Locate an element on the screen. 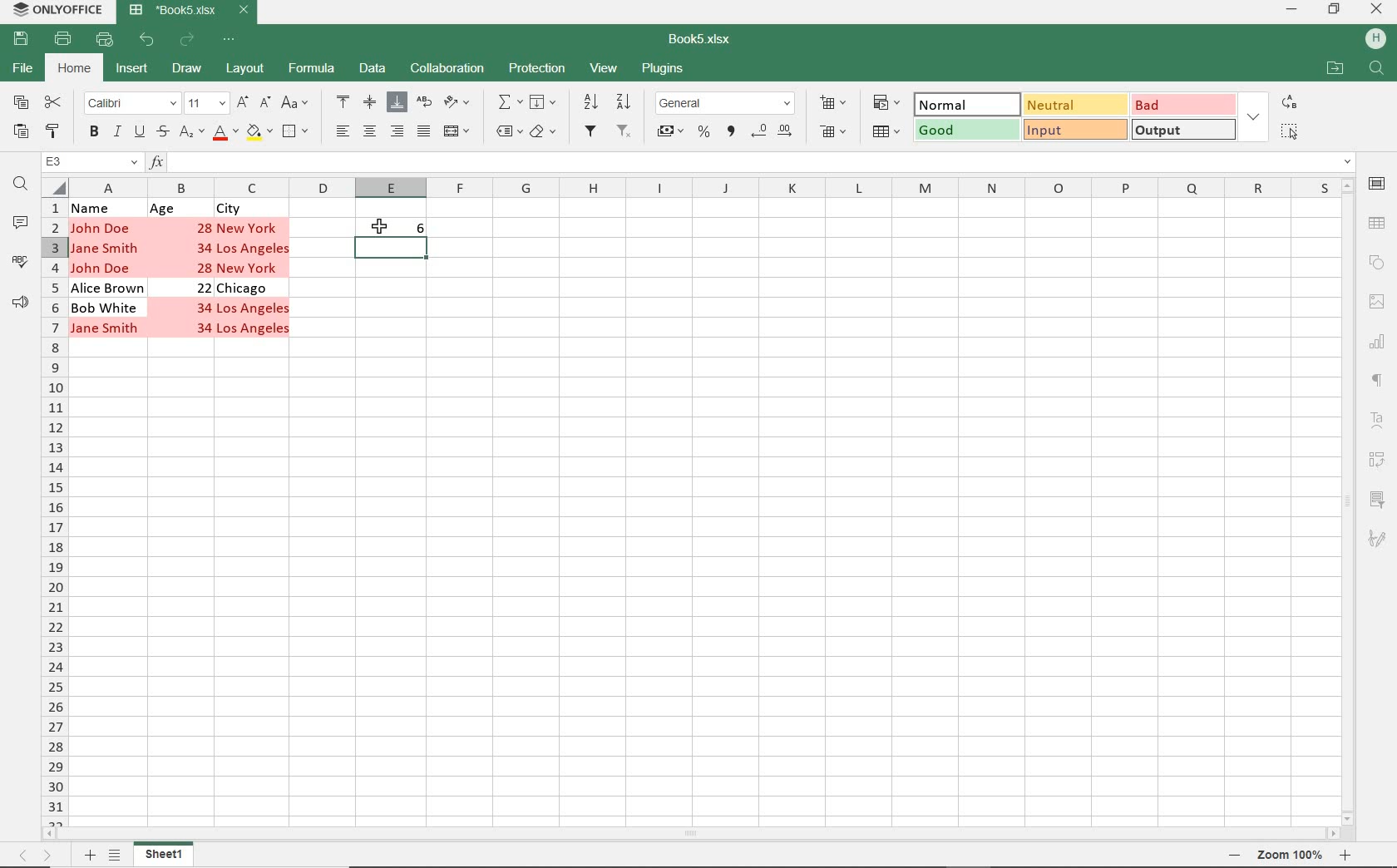 Image resolution: width=1397 pixels, height=868 pixels. SLICER is located at coordinates (1379, 499).